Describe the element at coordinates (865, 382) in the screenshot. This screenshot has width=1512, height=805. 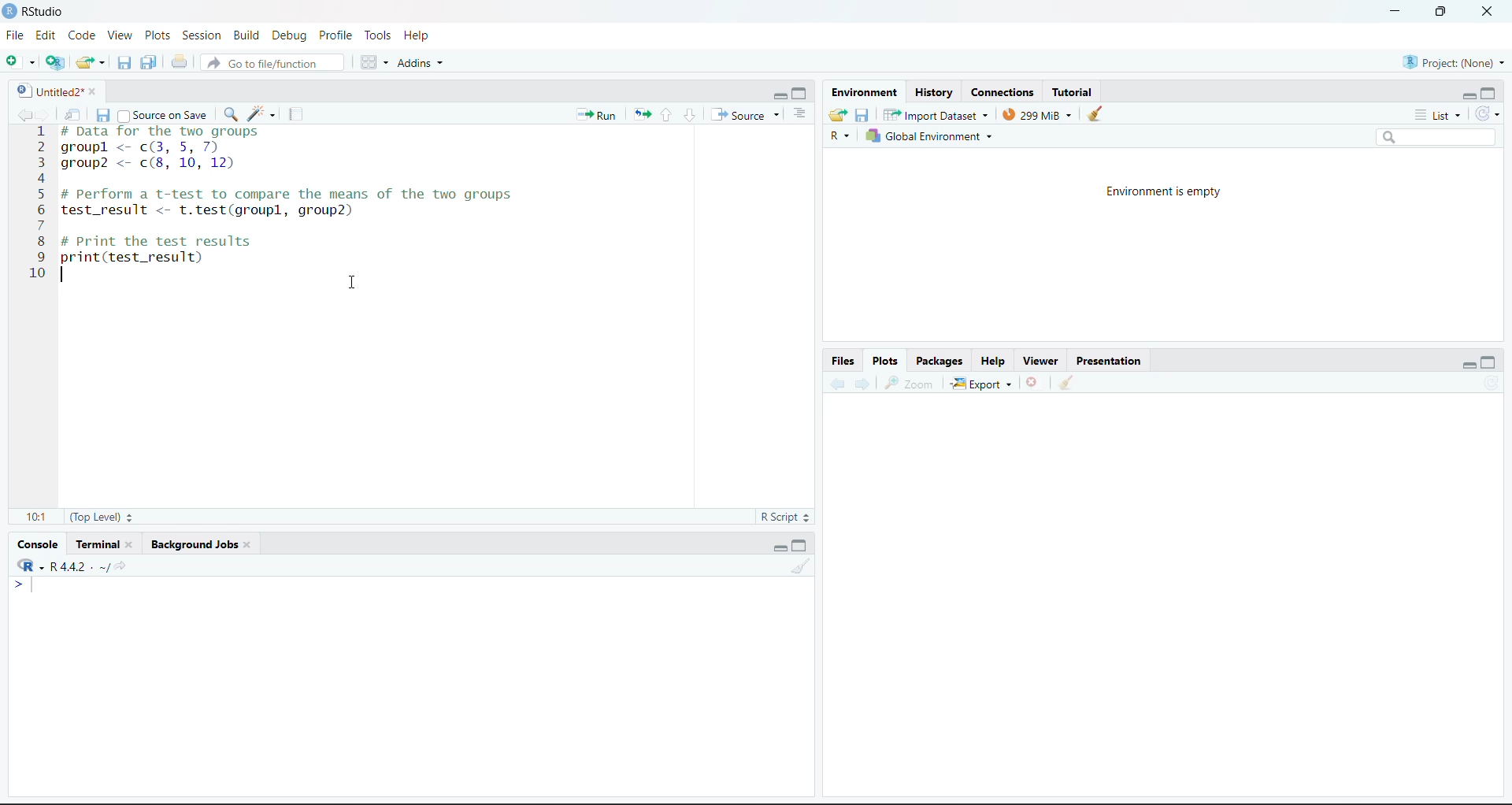
I see `Next plot` at that location.